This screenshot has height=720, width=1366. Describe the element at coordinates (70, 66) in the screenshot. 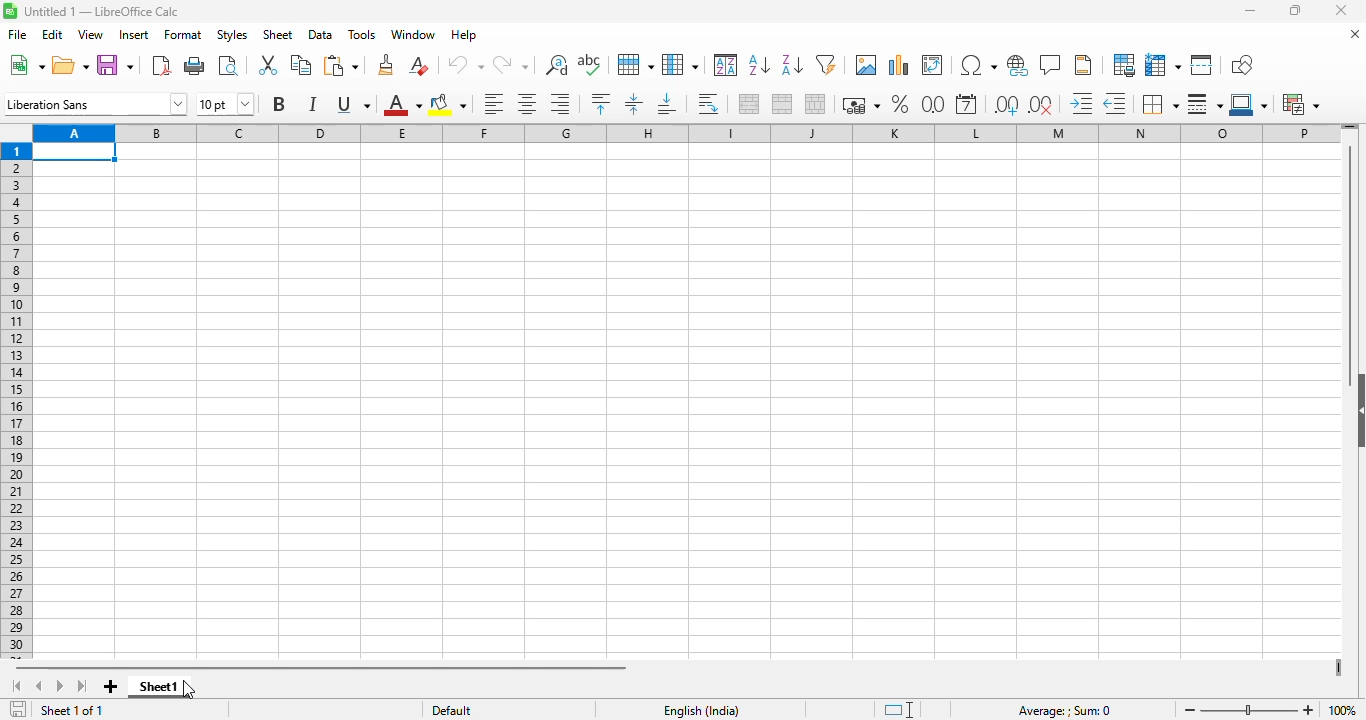

I see `open` at that location.